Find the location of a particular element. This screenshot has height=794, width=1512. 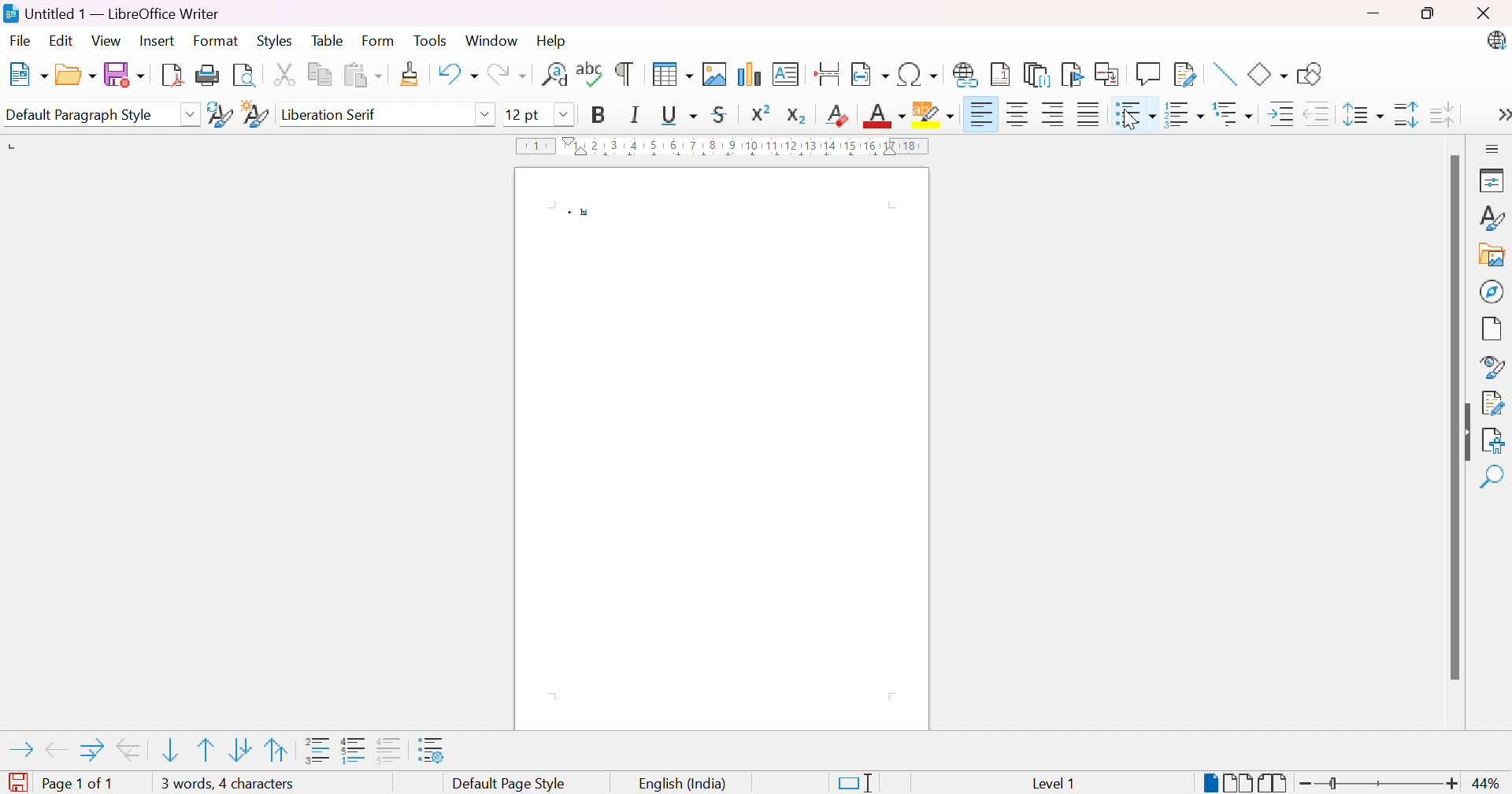

Page 1 of 1 is located at coordinates (57, 785).